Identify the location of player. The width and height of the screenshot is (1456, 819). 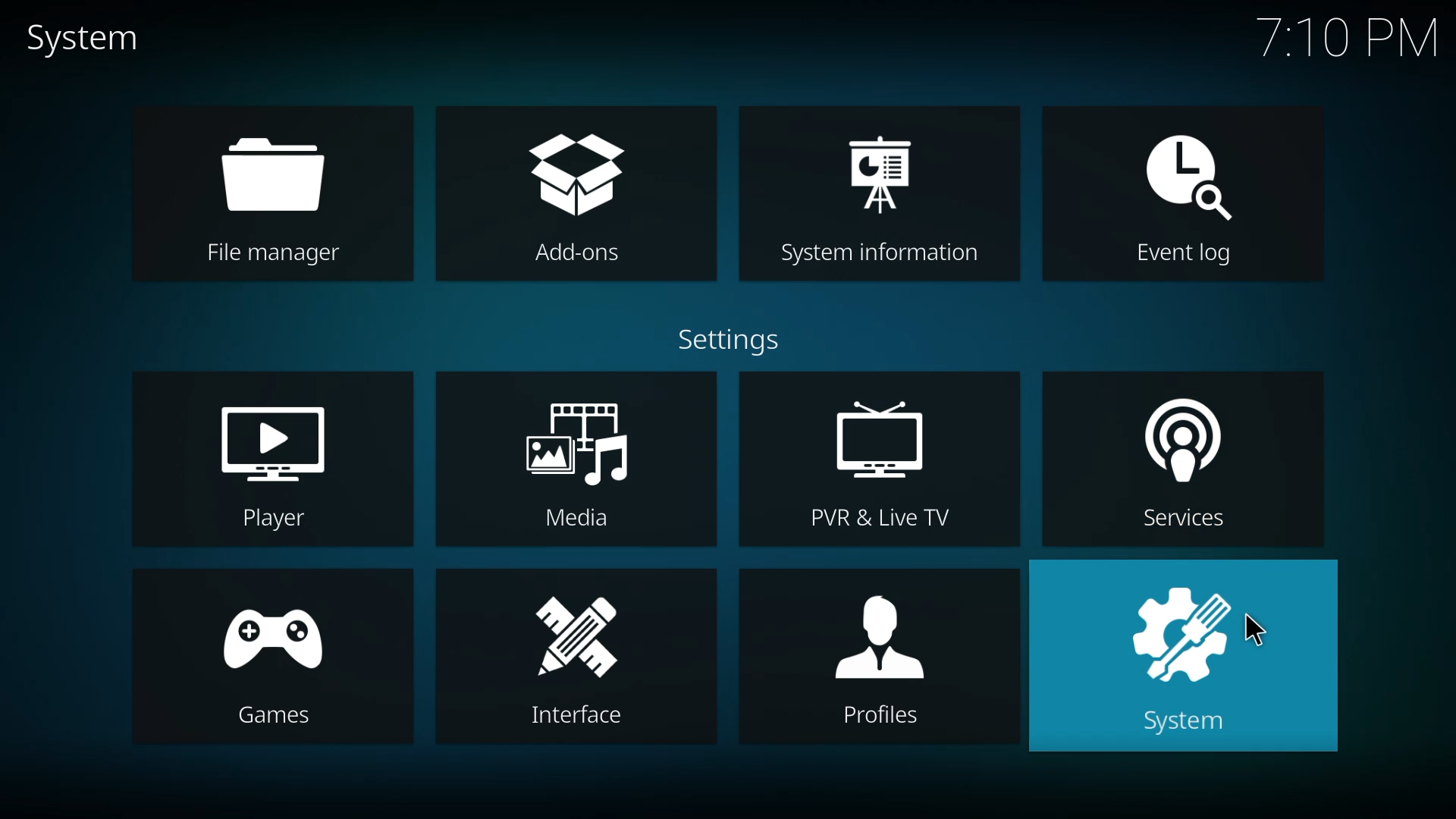
(275, 464).